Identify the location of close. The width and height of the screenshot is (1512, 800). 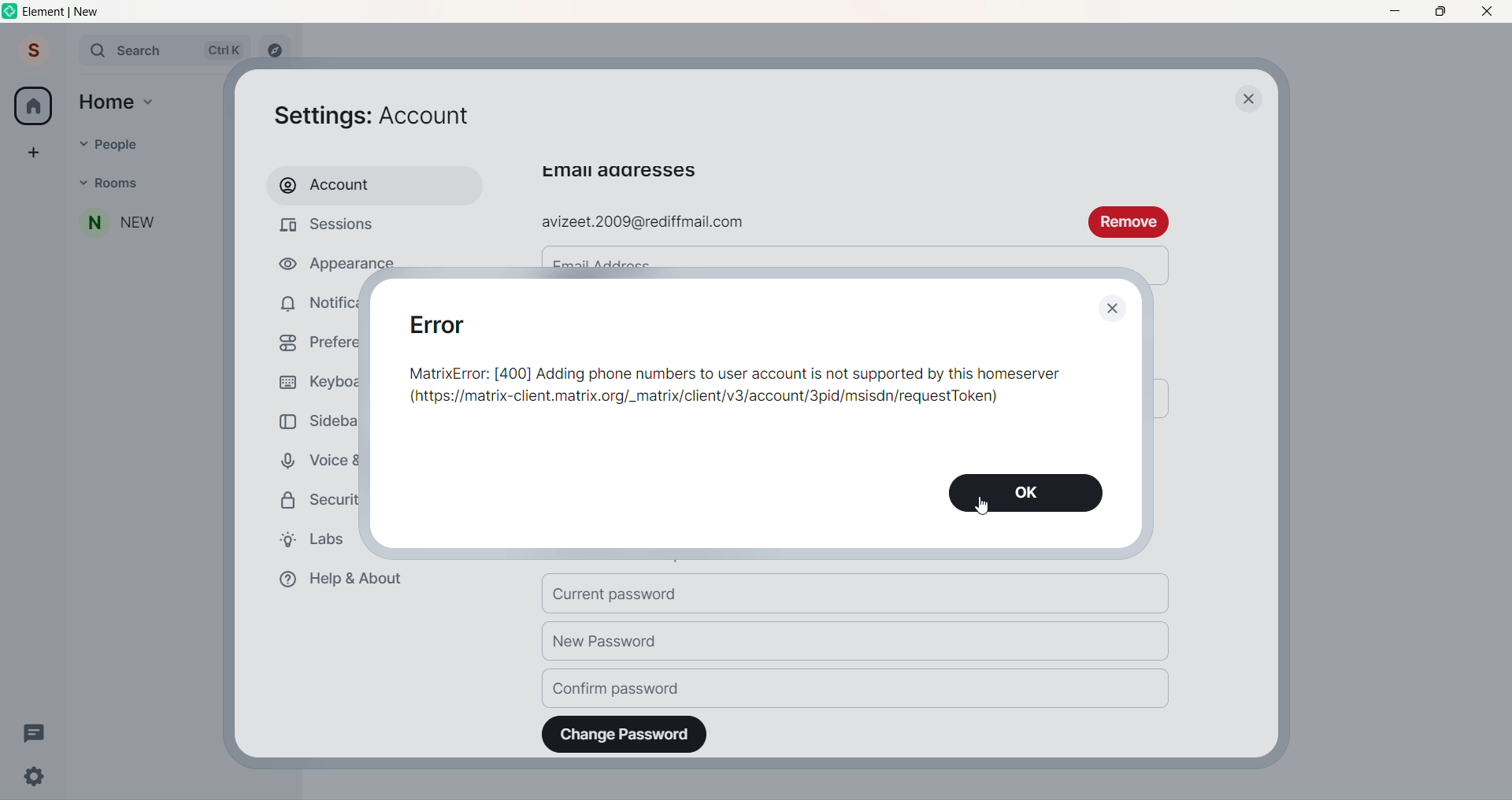
(1251, 101).